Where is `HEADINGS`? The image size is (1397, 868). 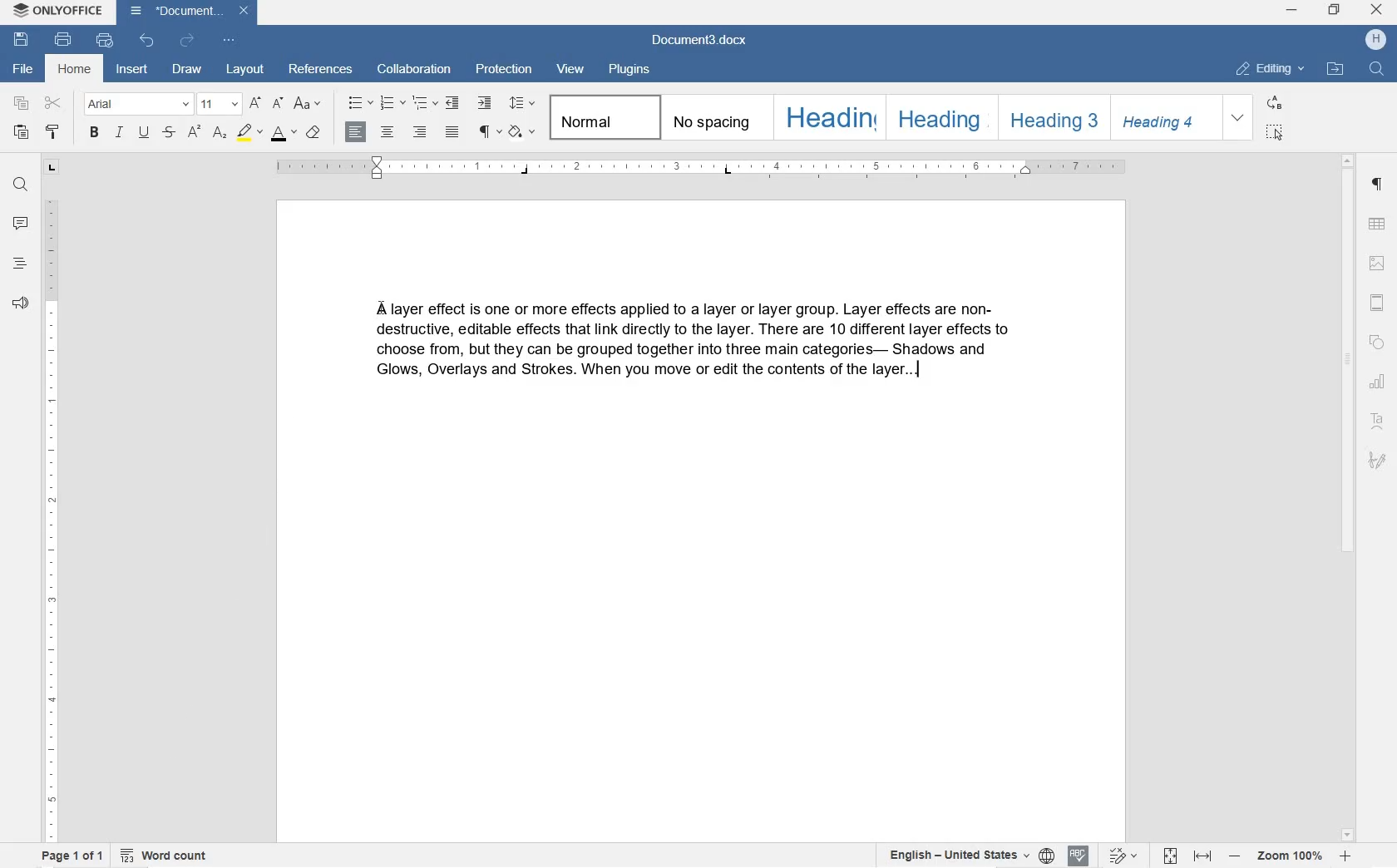
HEADINGS is located at coordinates (20, 264).